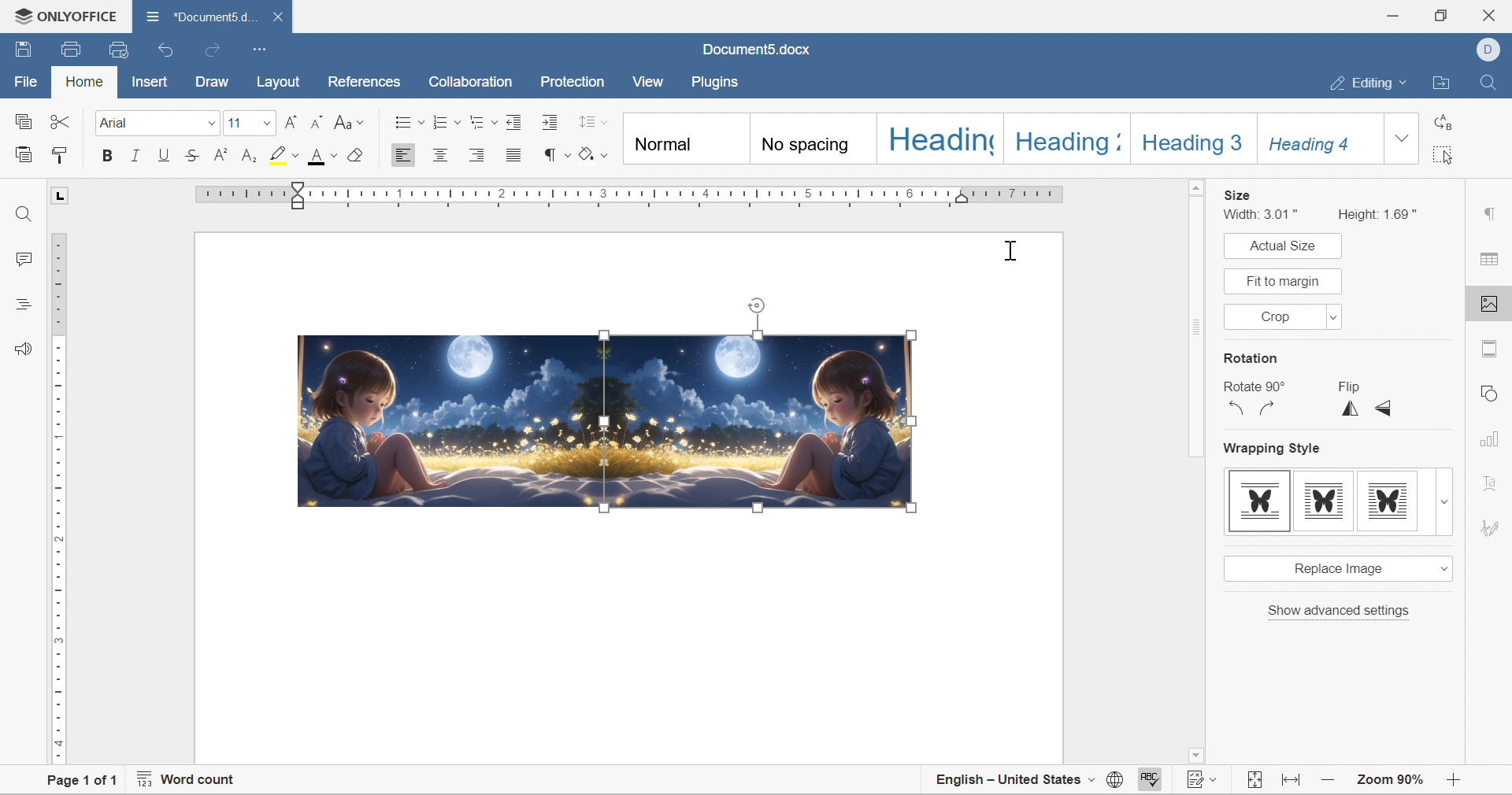 This screenshot has width=1512, height=795. I want to click on drop down, so click(1445, 502).